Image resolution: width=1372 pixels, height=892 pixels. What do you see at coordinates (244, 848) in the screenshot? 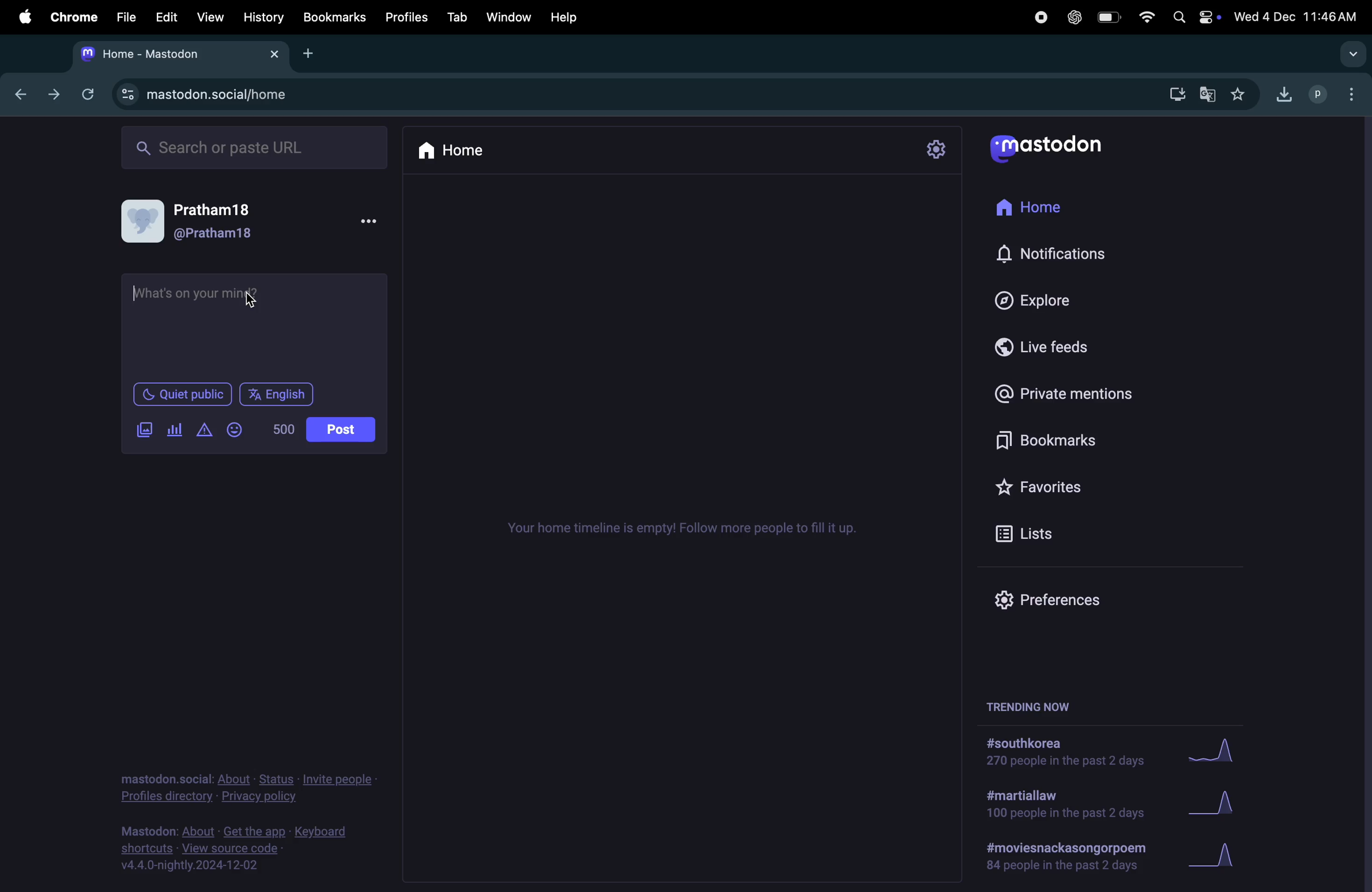
I see `source code` at bounding box center [244, 848].